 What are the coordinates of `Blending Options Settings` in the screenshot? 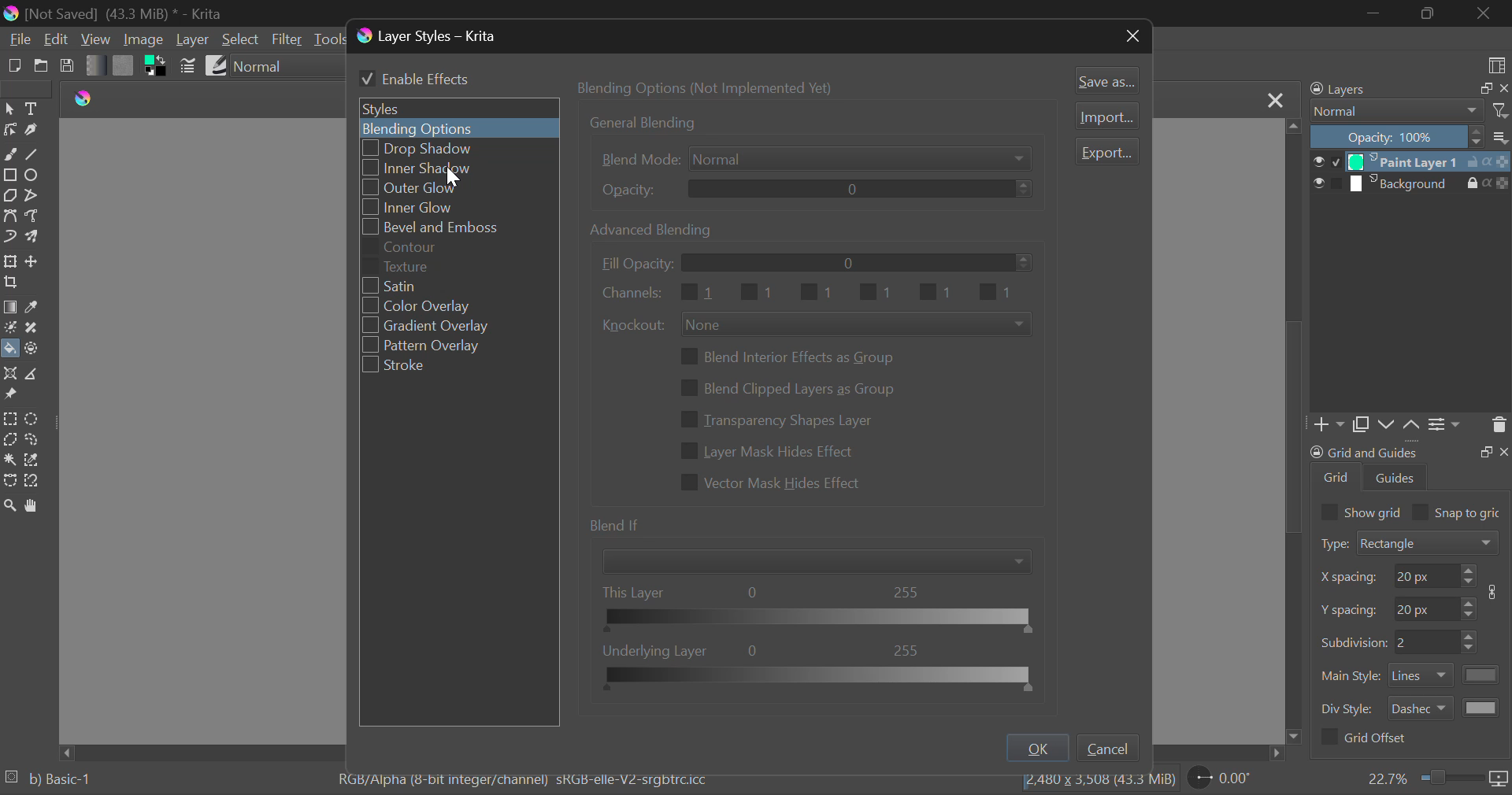 It's located at (814, 387).